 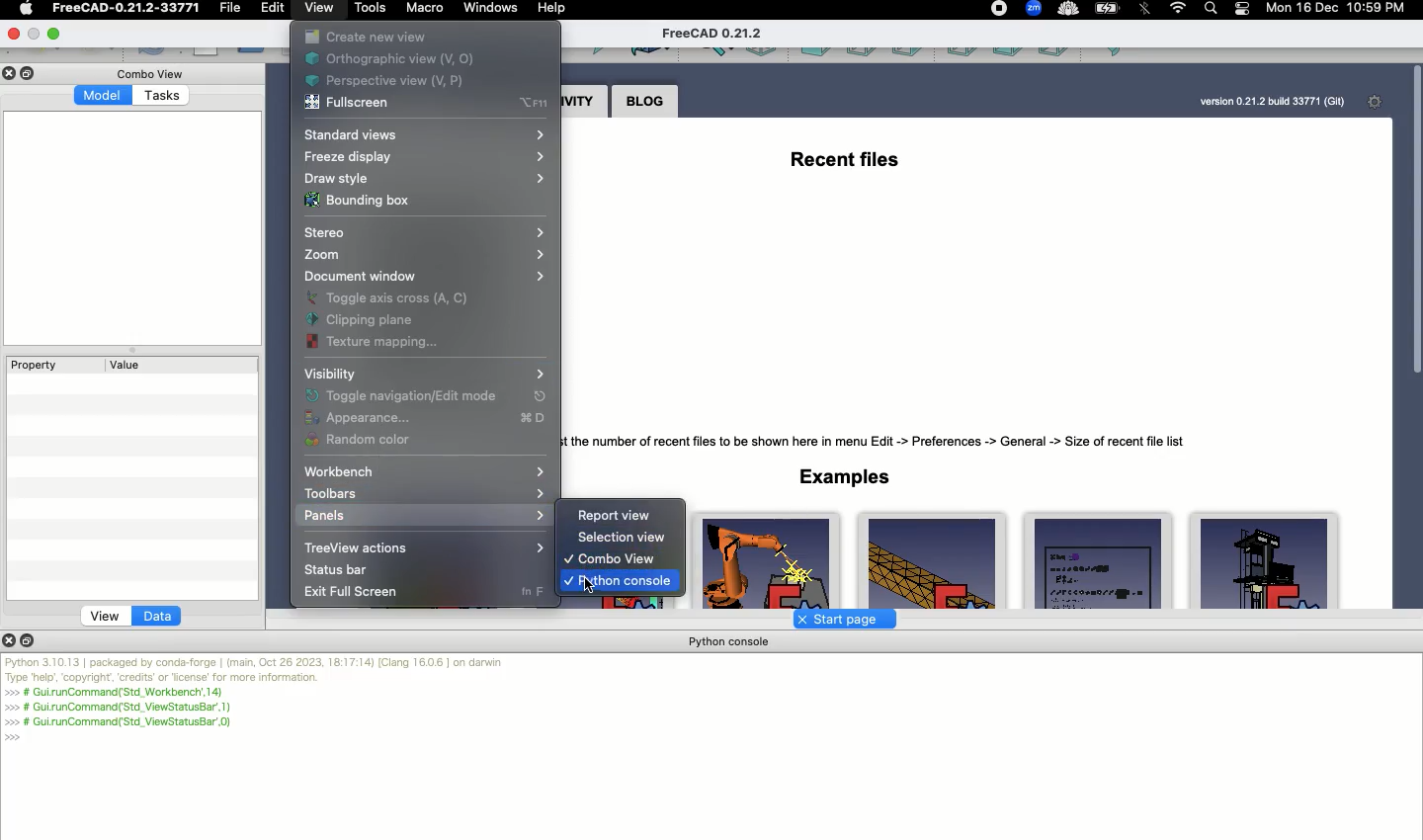 What do you see at coordinates (11, 639) in the screenshot?
I see `Close` at bounding box center [11, 639].